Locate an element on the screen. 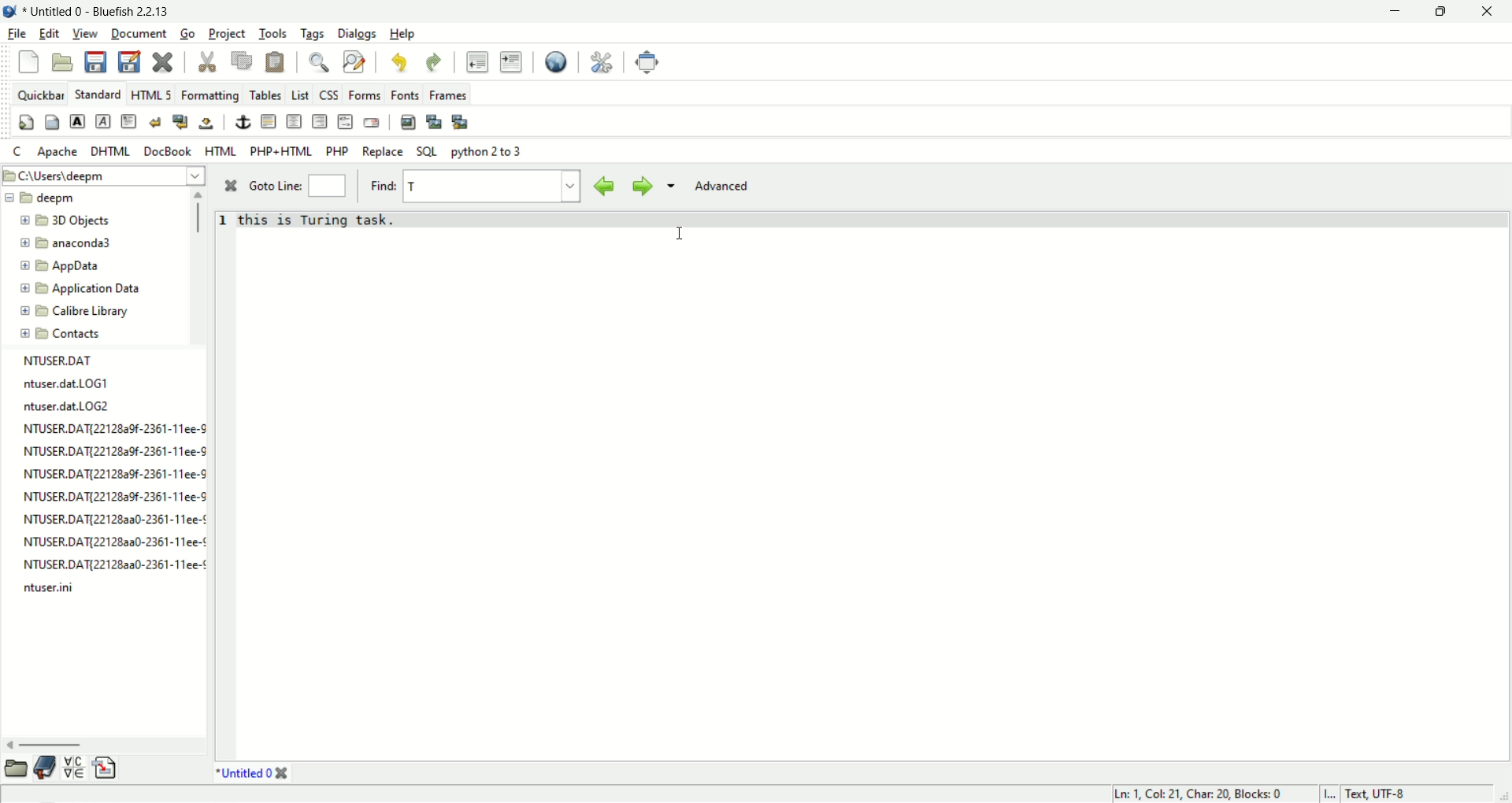 Image resolution: width=1512 pixels, height=803 pixels. Input text is located at coordinates (422, 186).